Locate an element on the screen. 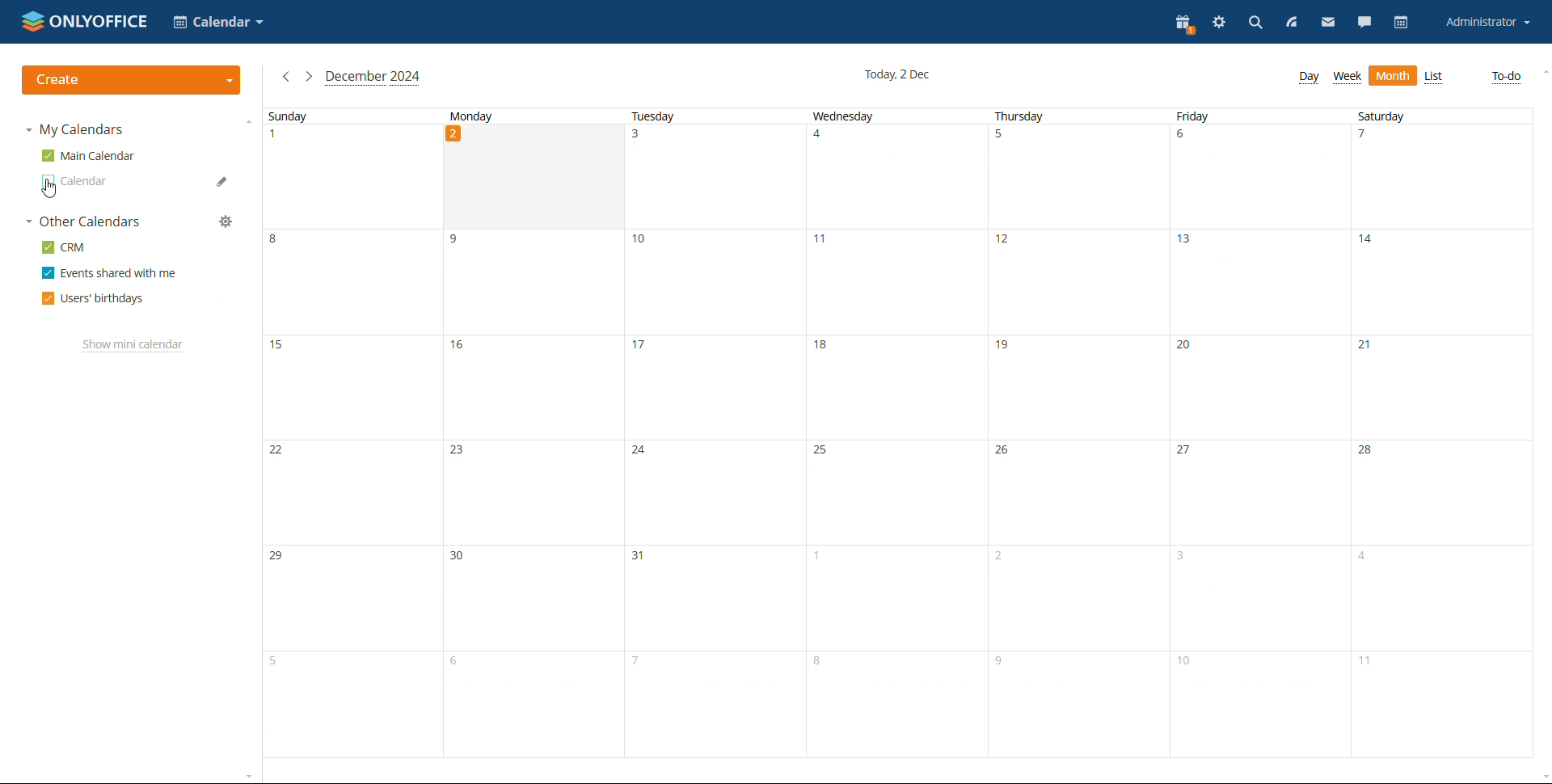  show mini calendar is located at coordinates (133, 346).